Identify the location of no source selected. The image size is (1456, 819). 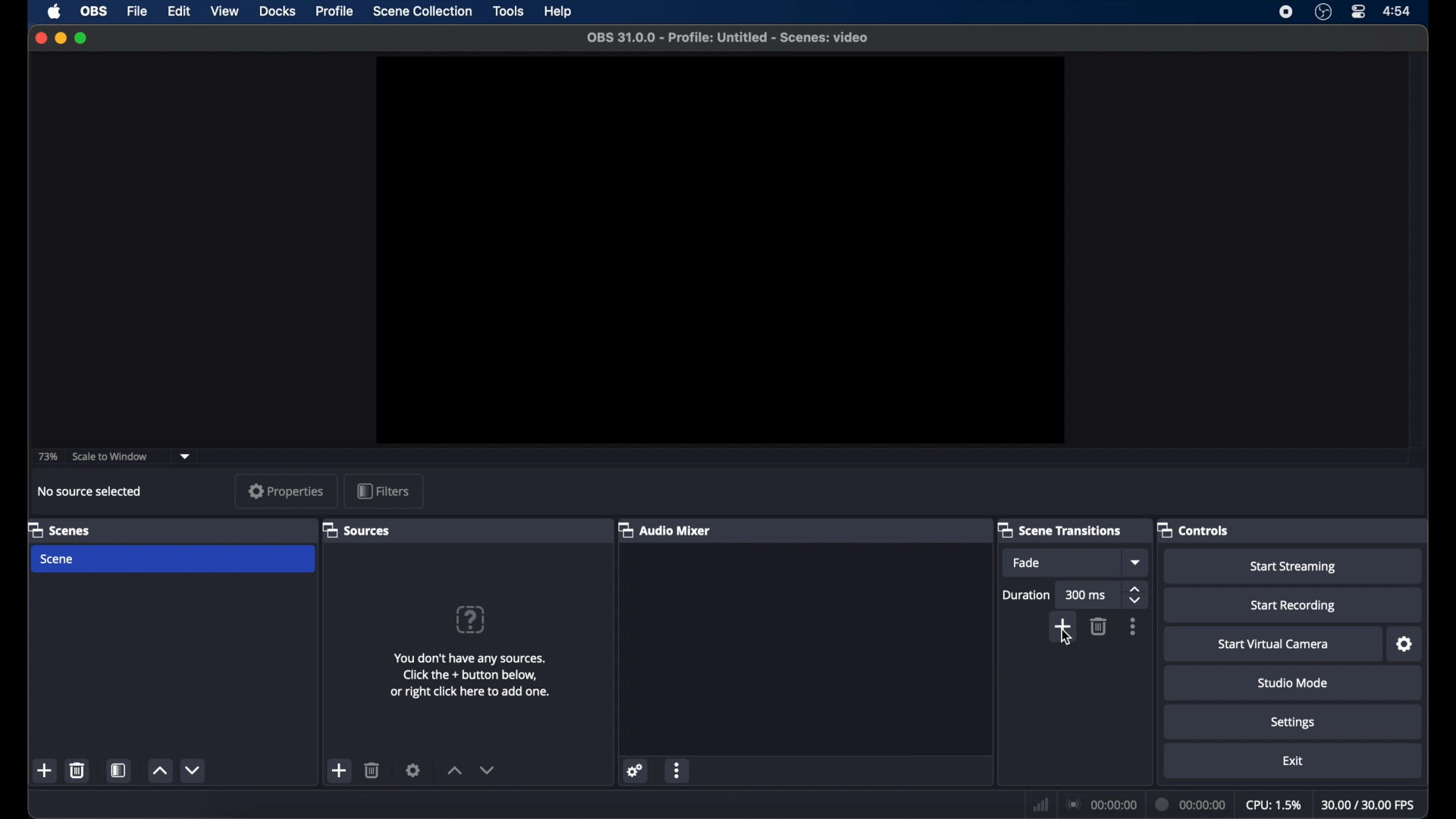
(89, 491).